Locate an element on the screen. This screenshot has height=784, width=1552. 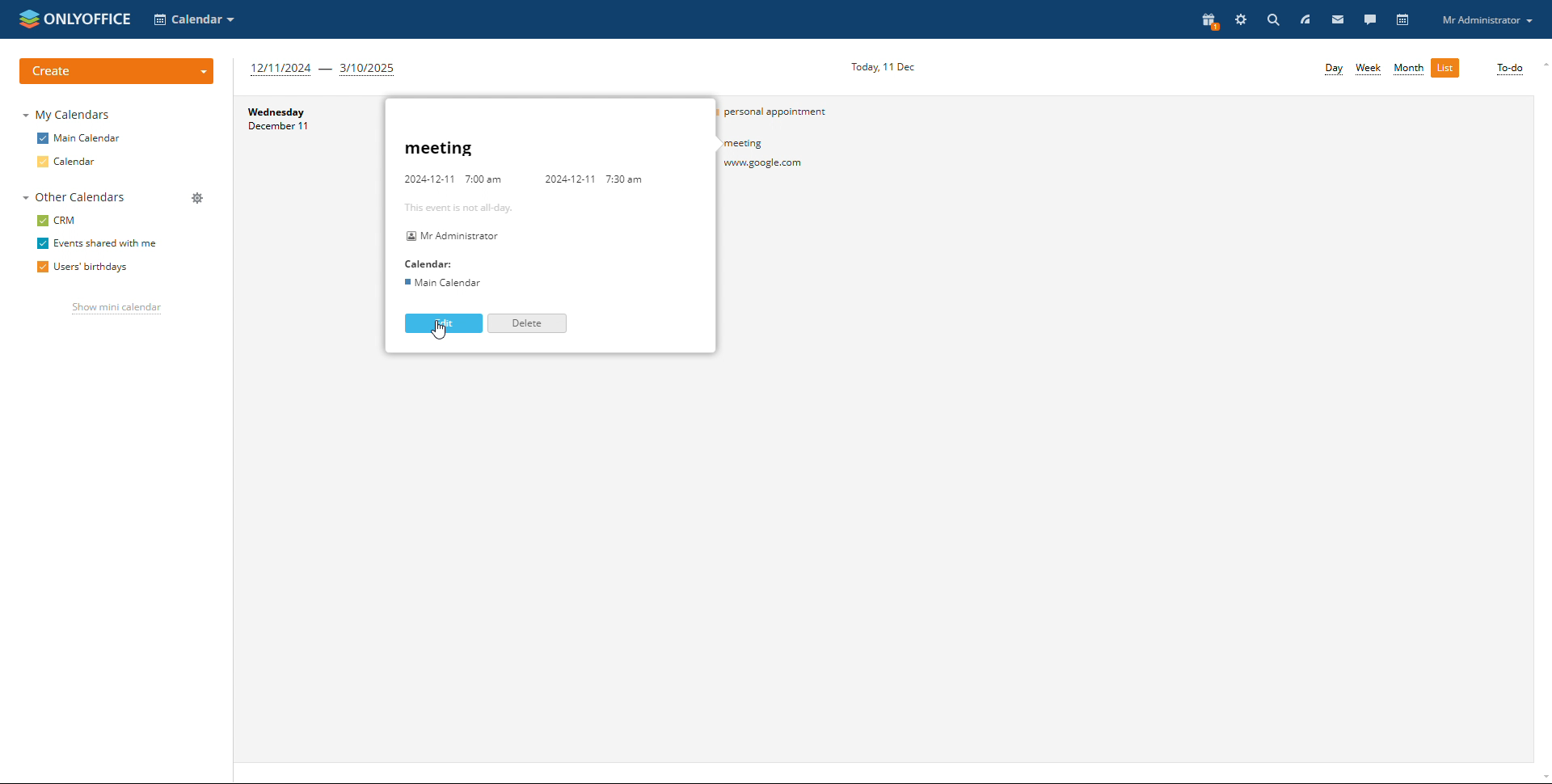
personal is located at coordinates (791, 112).